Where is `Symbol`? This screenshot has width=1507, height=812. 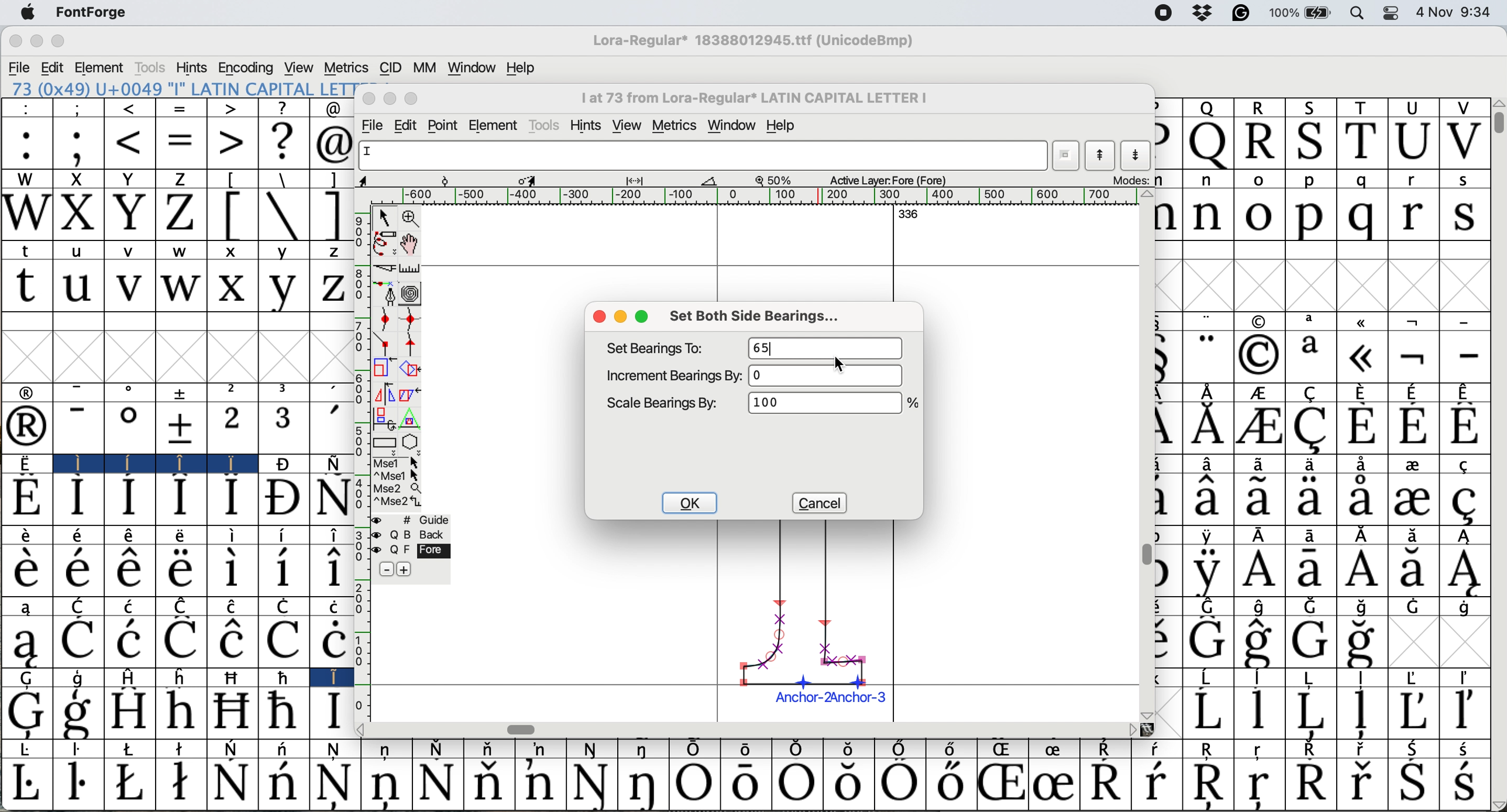 Symbol is located at coordinates (184, 605).